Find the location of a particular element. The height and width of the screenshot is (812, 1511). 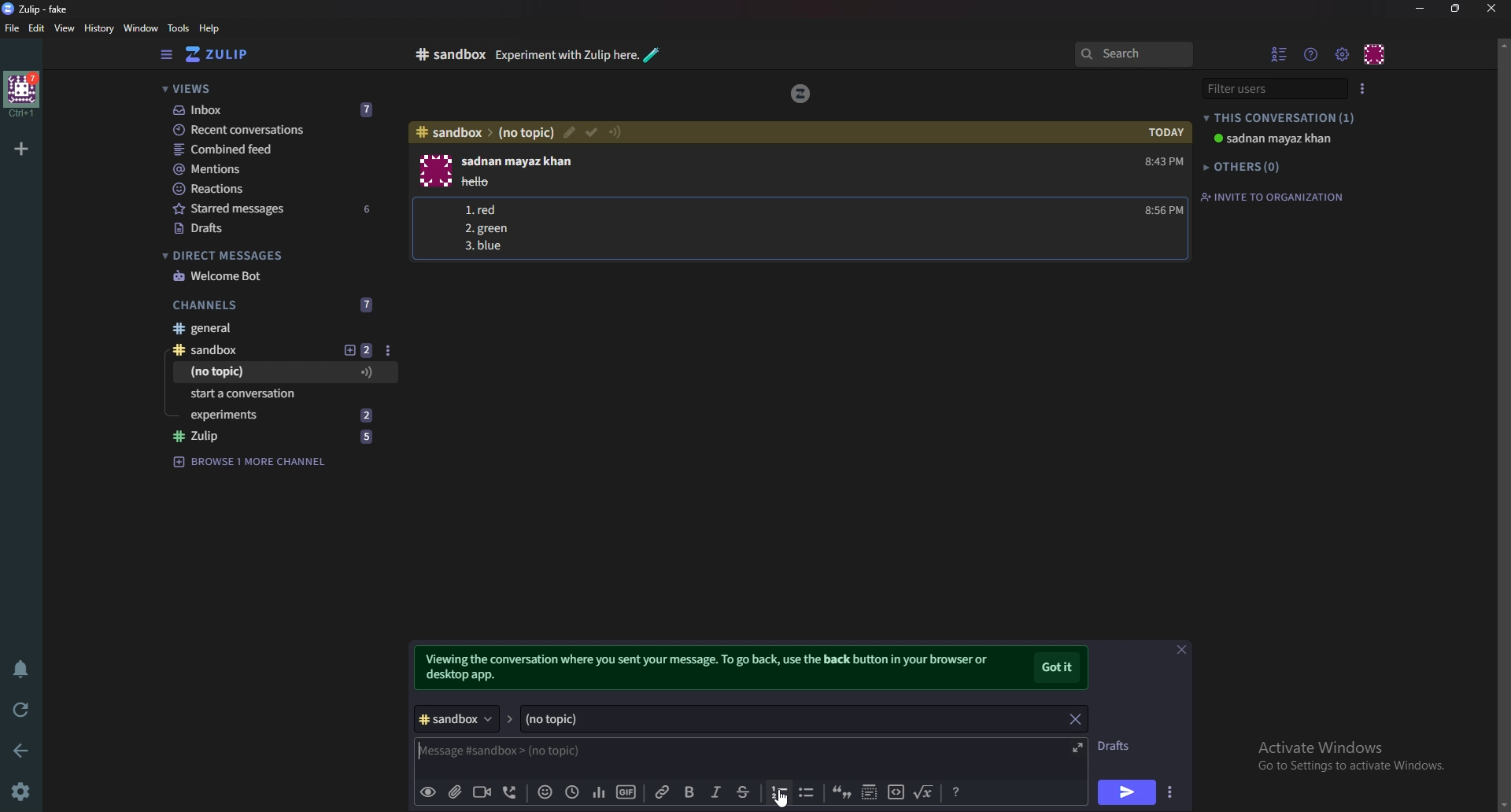

Recent conversations is located at coordinates (278, 131).